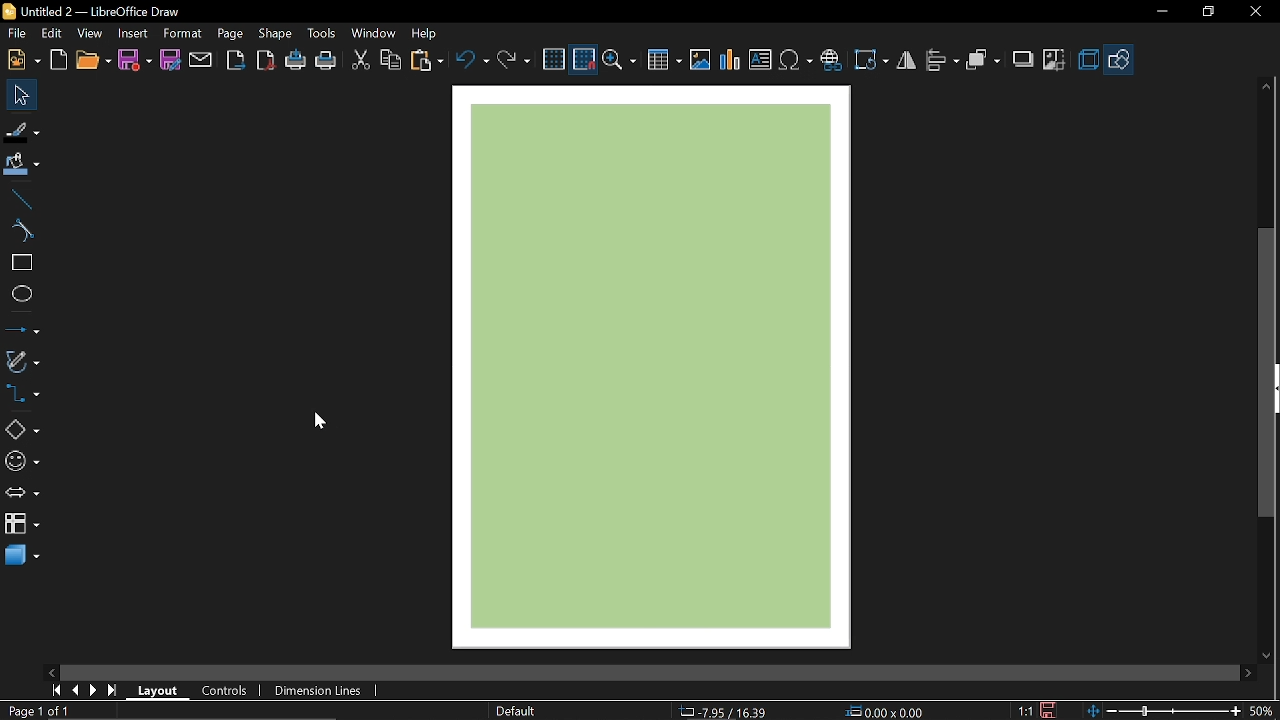  Describe the element at coordinates (1165, 710) in the screenshot. I see `Zoom changes` at that location.